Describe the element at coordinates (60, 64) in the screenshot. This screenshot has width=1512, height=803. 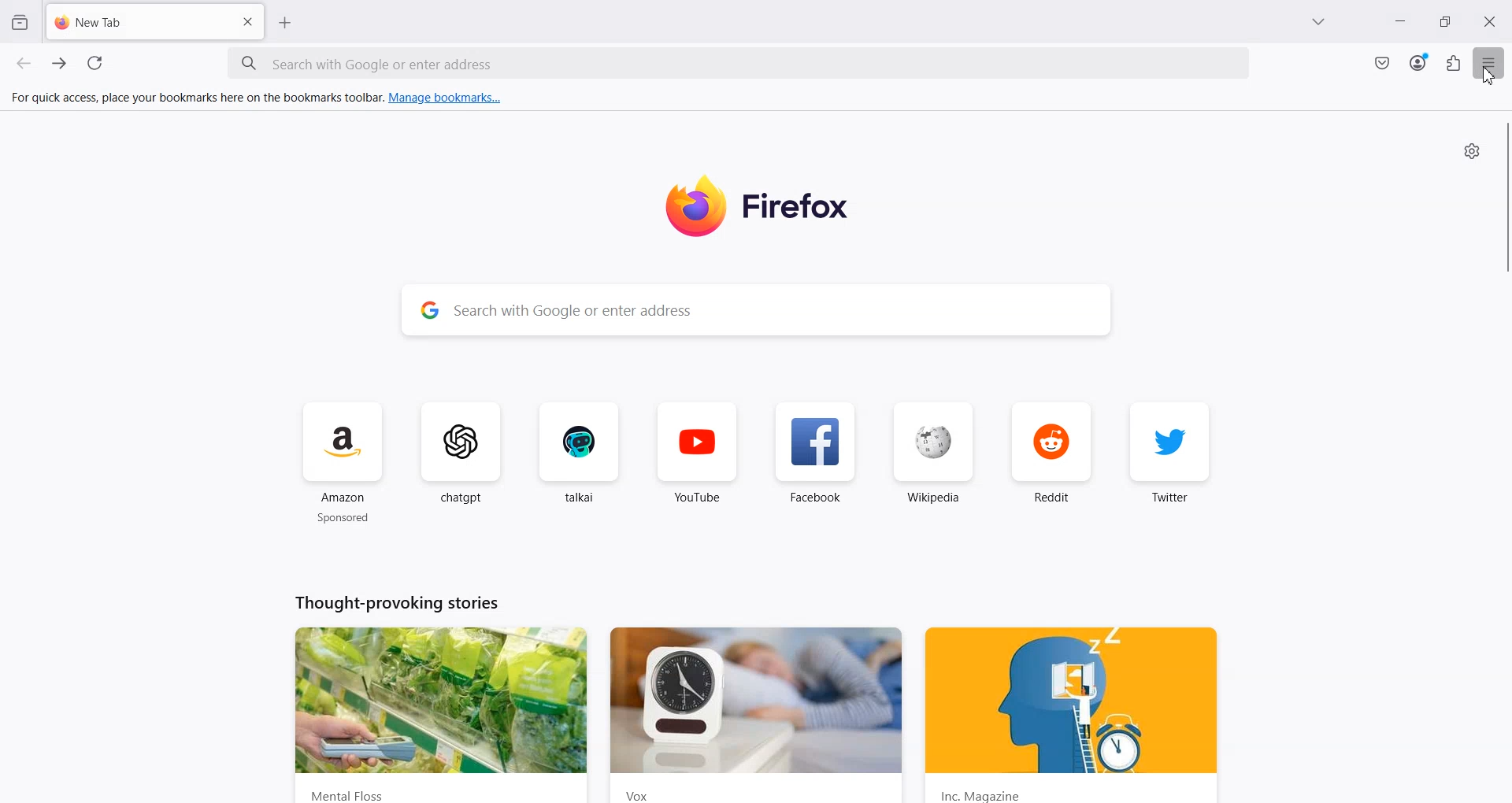
I see `Forward` at that location.